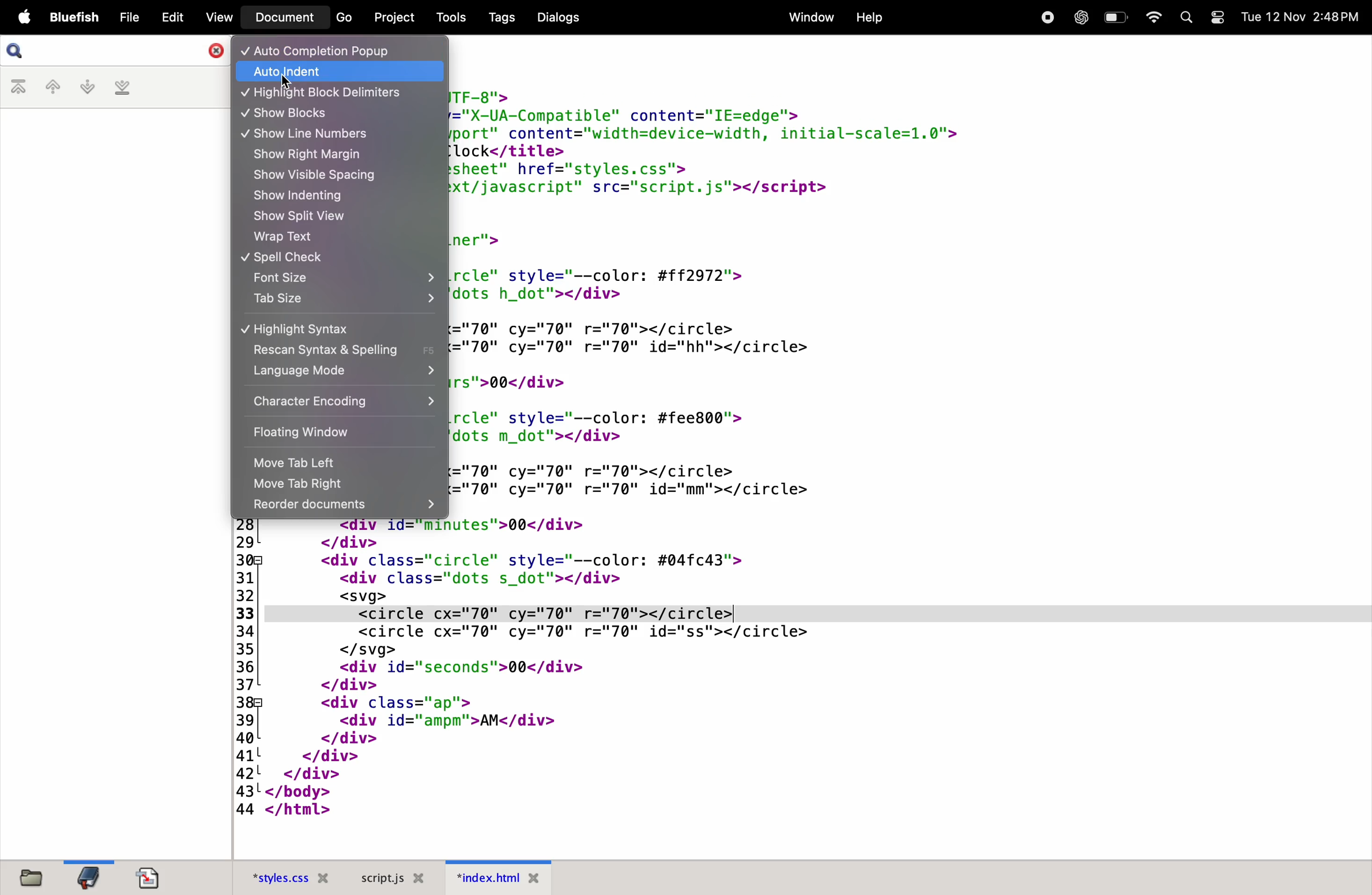  Describe the element at coordinates (507, 878) in the screenshot. I see `index.html` at that location.